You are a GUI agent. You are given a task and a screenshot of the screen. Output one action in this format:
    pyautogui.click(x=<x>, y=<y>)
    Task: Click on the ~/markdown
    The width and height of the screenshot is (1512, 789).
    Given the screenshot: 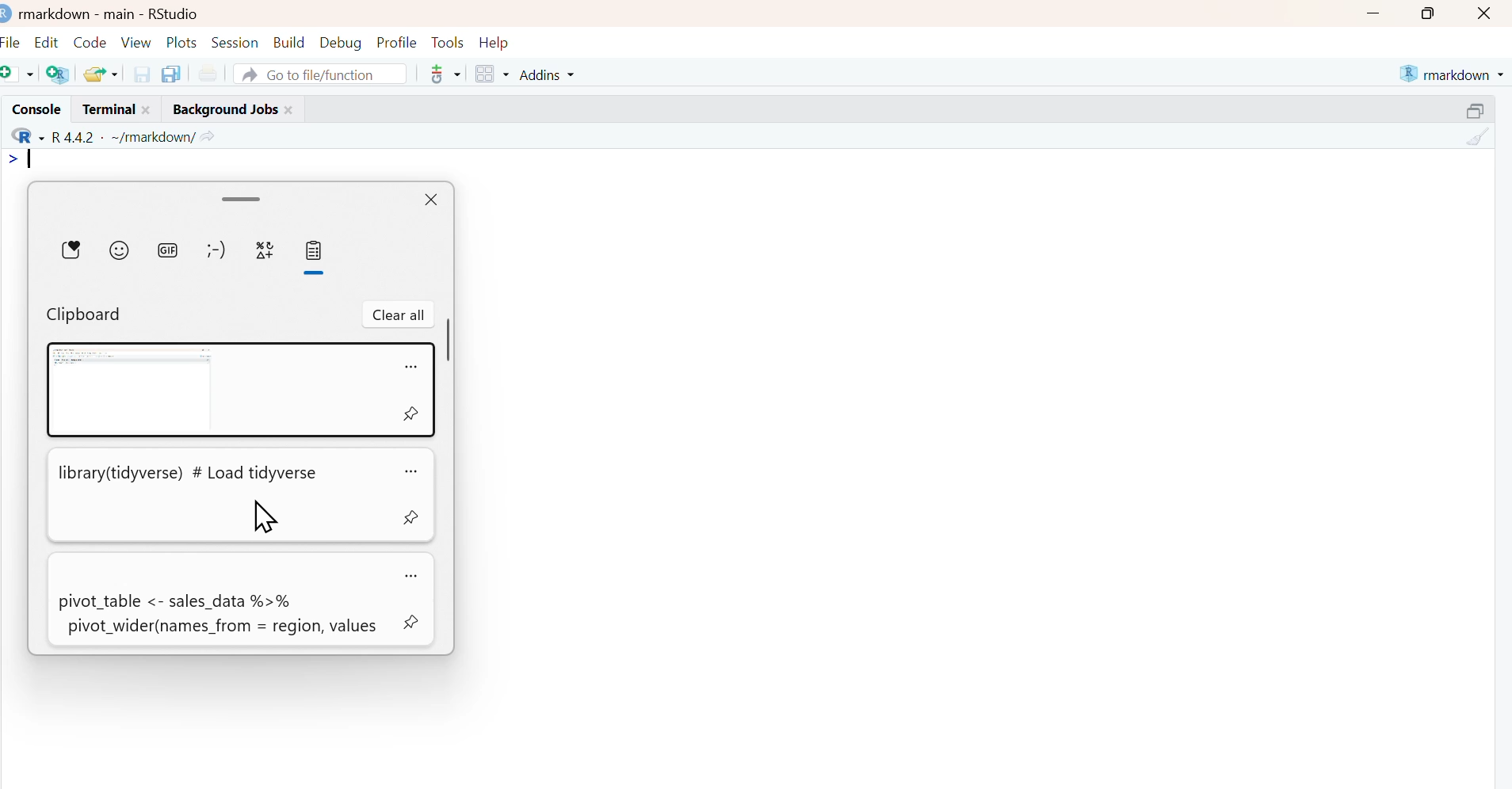 What is the action you would take?
    pyautogui.click(x=151, y=135)
    